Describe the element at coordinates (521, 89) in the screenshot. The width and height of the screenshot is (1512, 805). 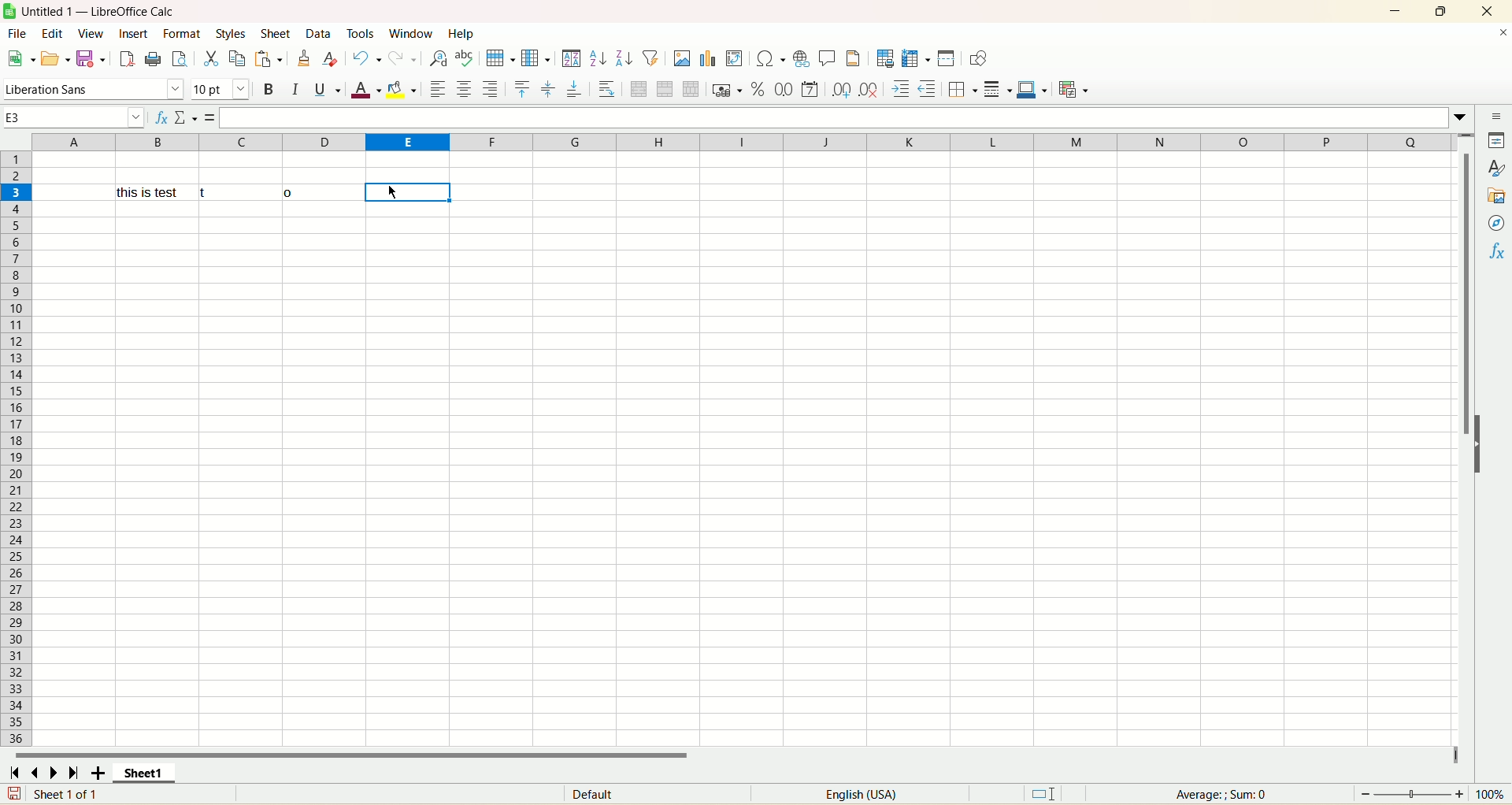
I see `align top` at that location.